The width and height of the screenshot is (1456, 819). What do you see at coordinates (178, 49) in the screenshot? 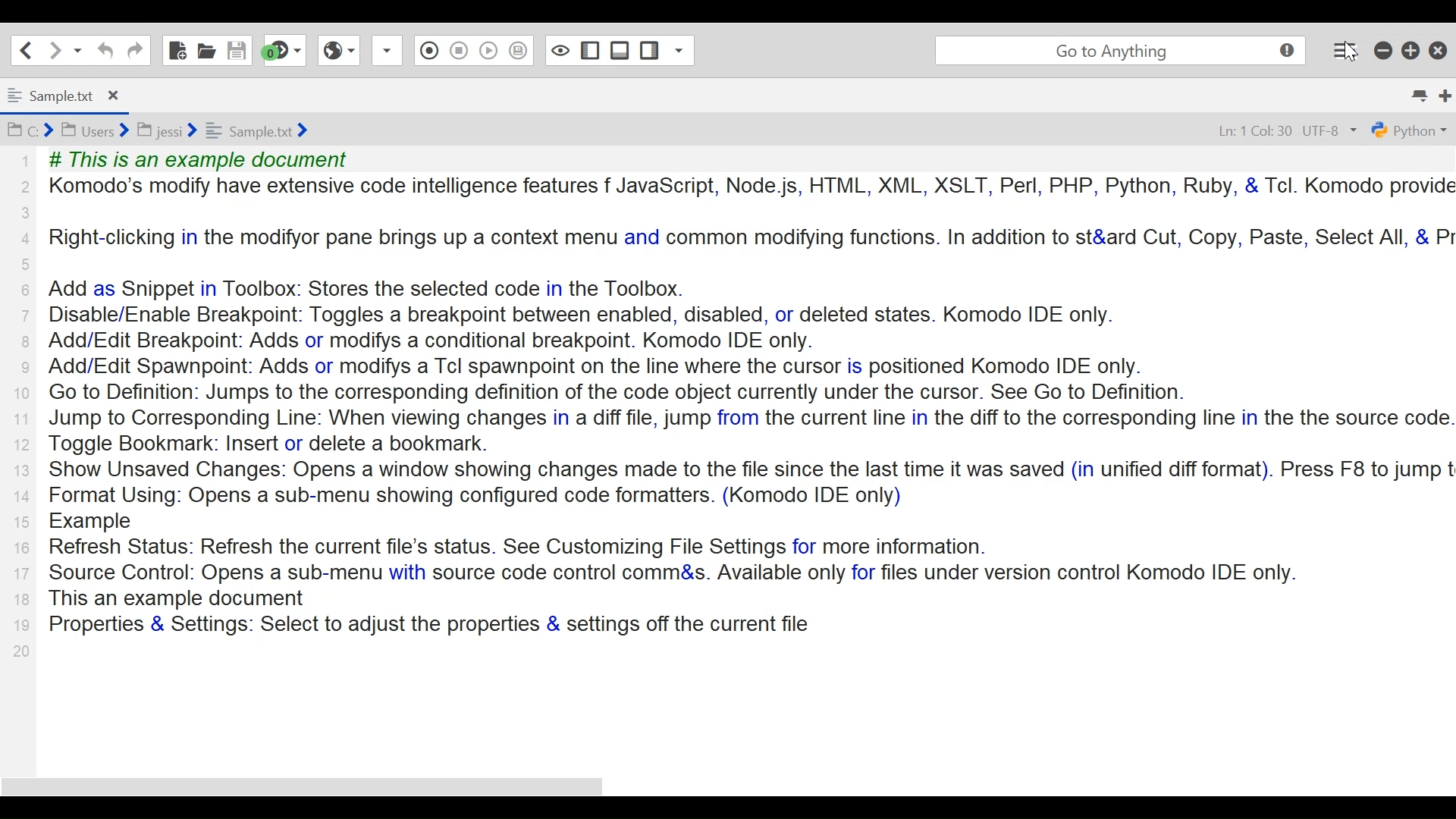
I see `New File` at bounding box center [178, 49].